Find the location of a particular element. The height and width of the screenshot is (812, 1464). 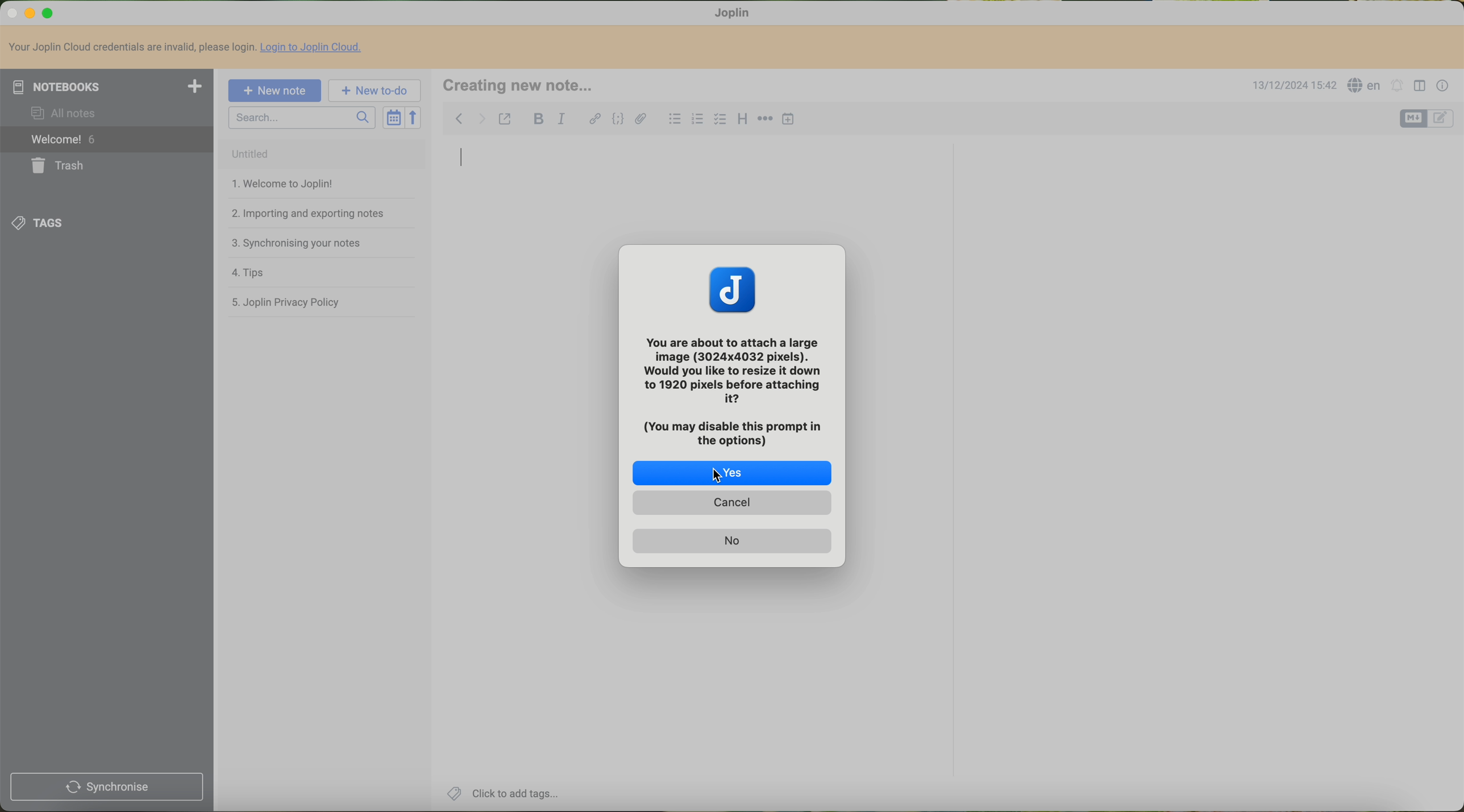

cancel is located at coordinates (732, 503).